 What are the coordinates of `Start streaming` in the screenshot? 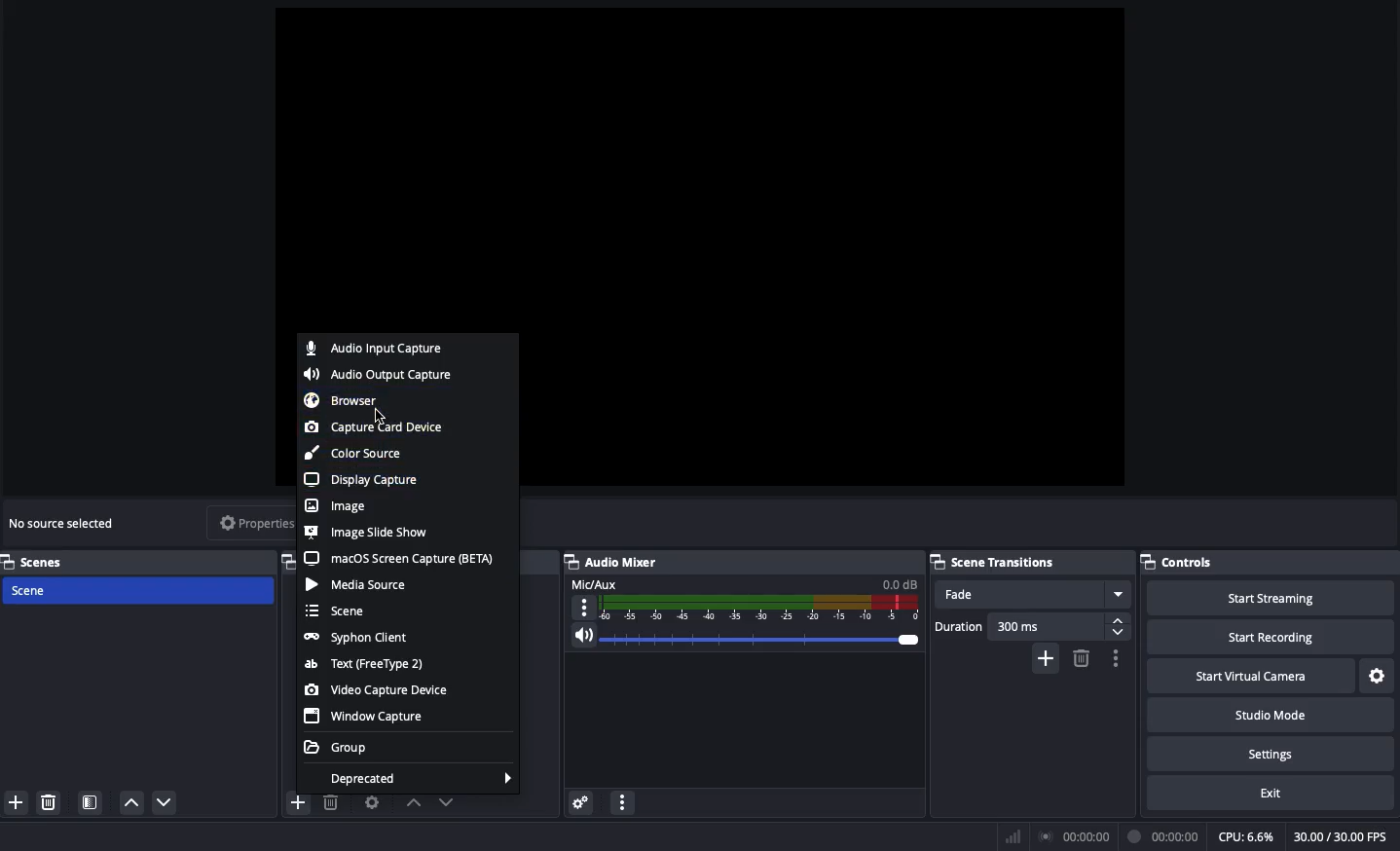 It's located at (1277, 594).